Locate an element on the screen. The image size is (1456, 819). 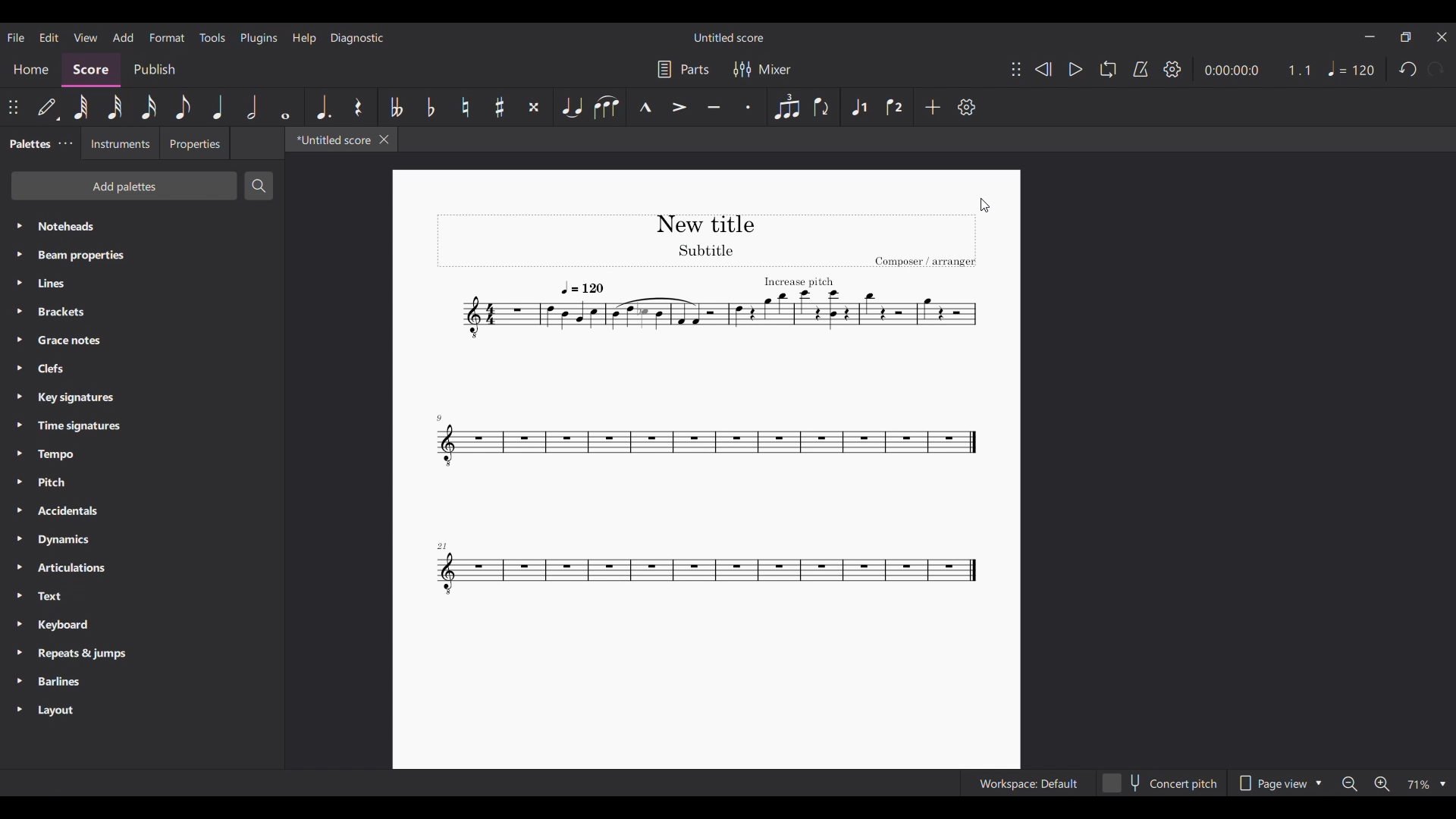
Grace notes is located at coordinates (141, 340).